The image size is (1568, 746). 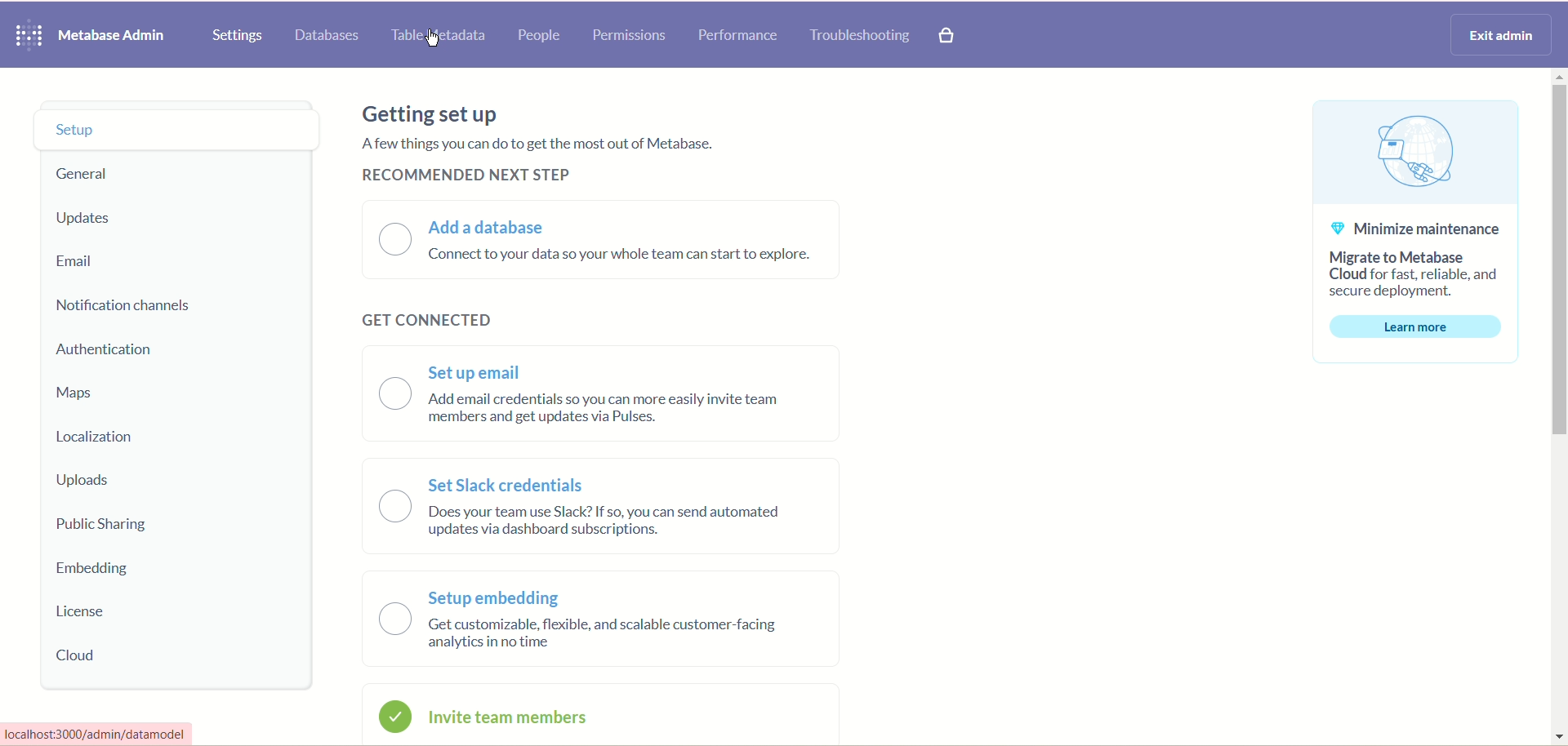 I want to click on getting set up, so click(x=425, y=113).